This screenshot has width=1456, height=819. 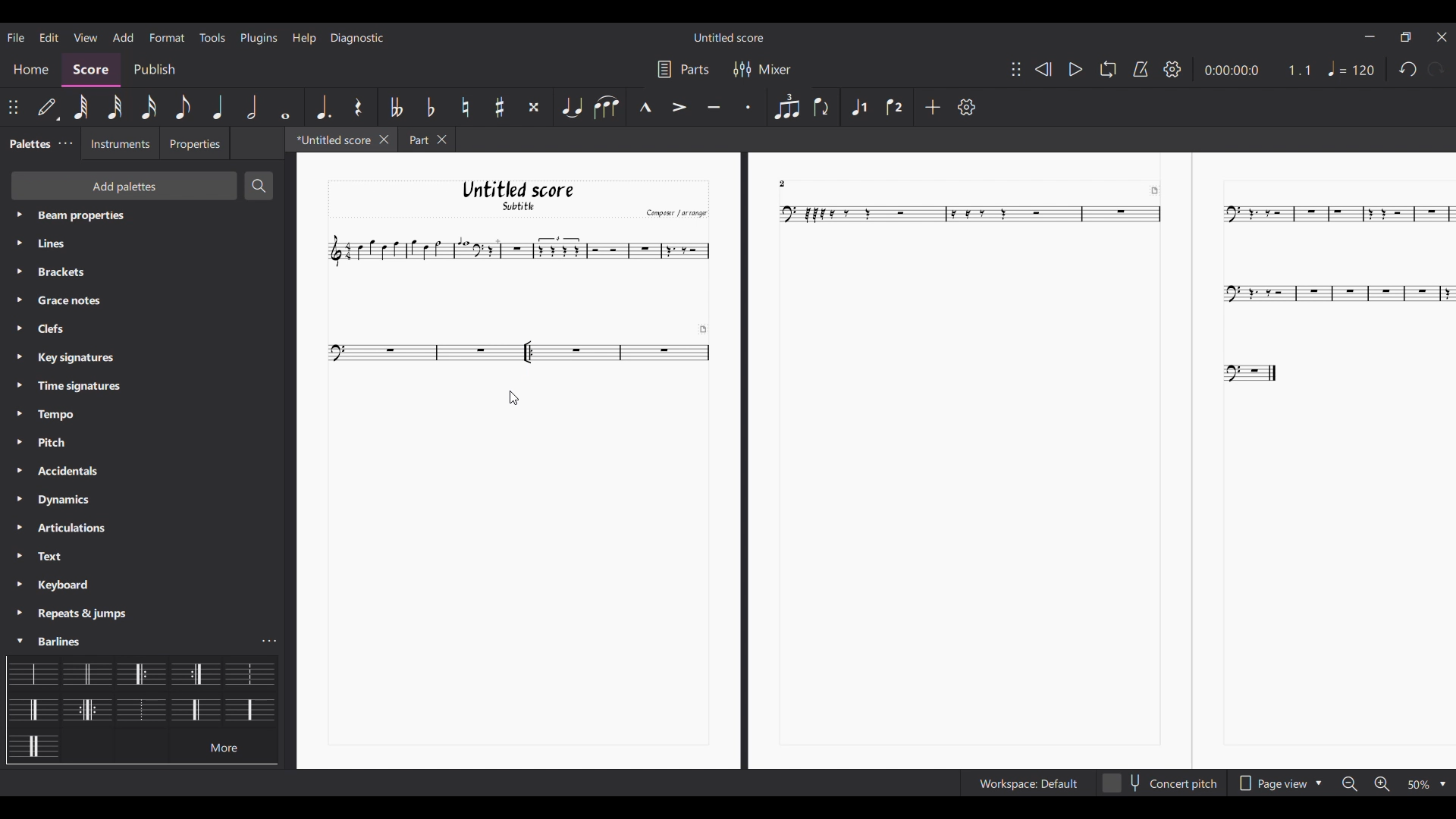 What do you see at coordinates (212, 37) in the screenshot?
I see `Tools menu` at bounding box center [212, 37].